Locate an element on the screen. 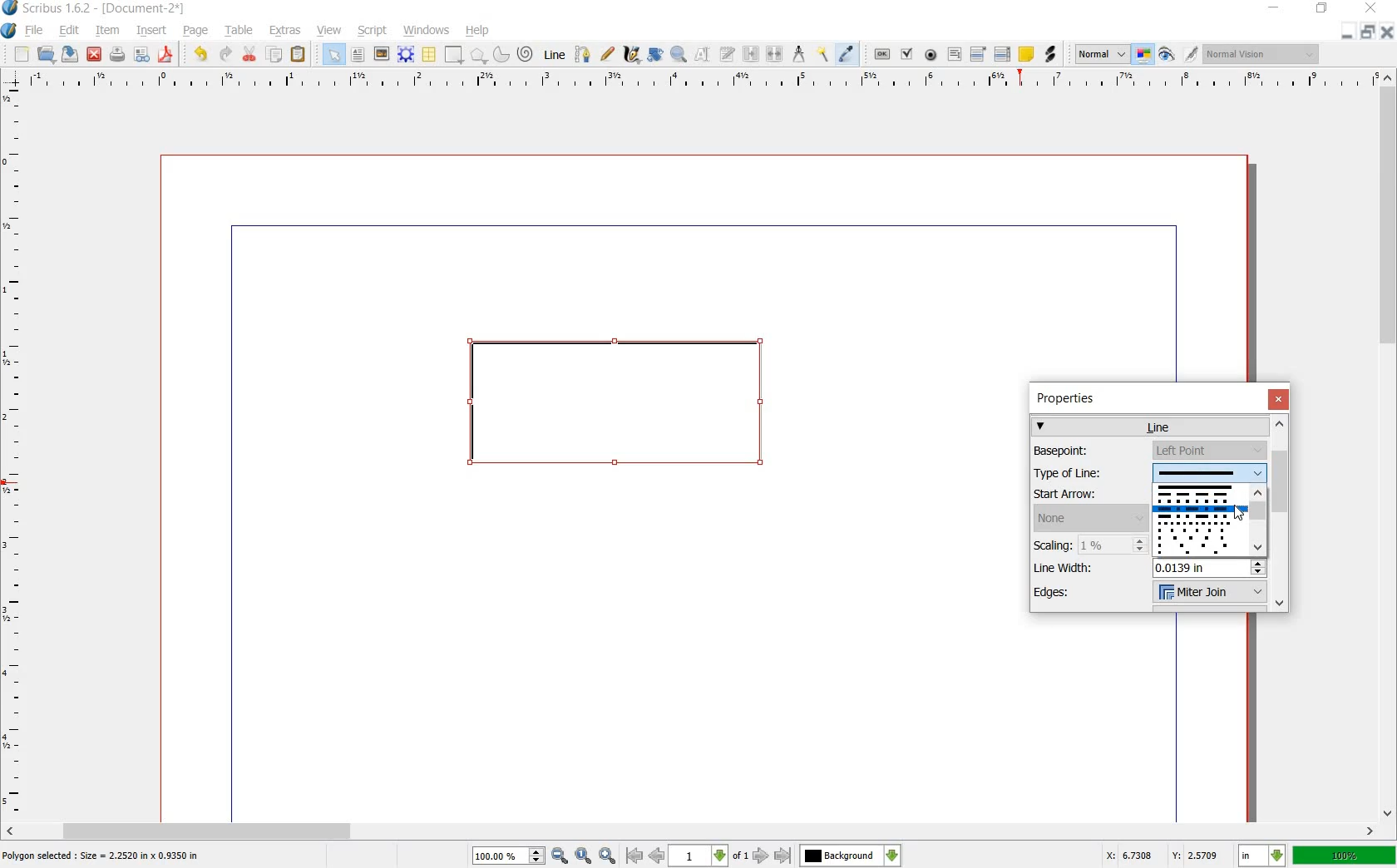 The image size is (1397, 868). shape created is located at coordinates (617, 408).